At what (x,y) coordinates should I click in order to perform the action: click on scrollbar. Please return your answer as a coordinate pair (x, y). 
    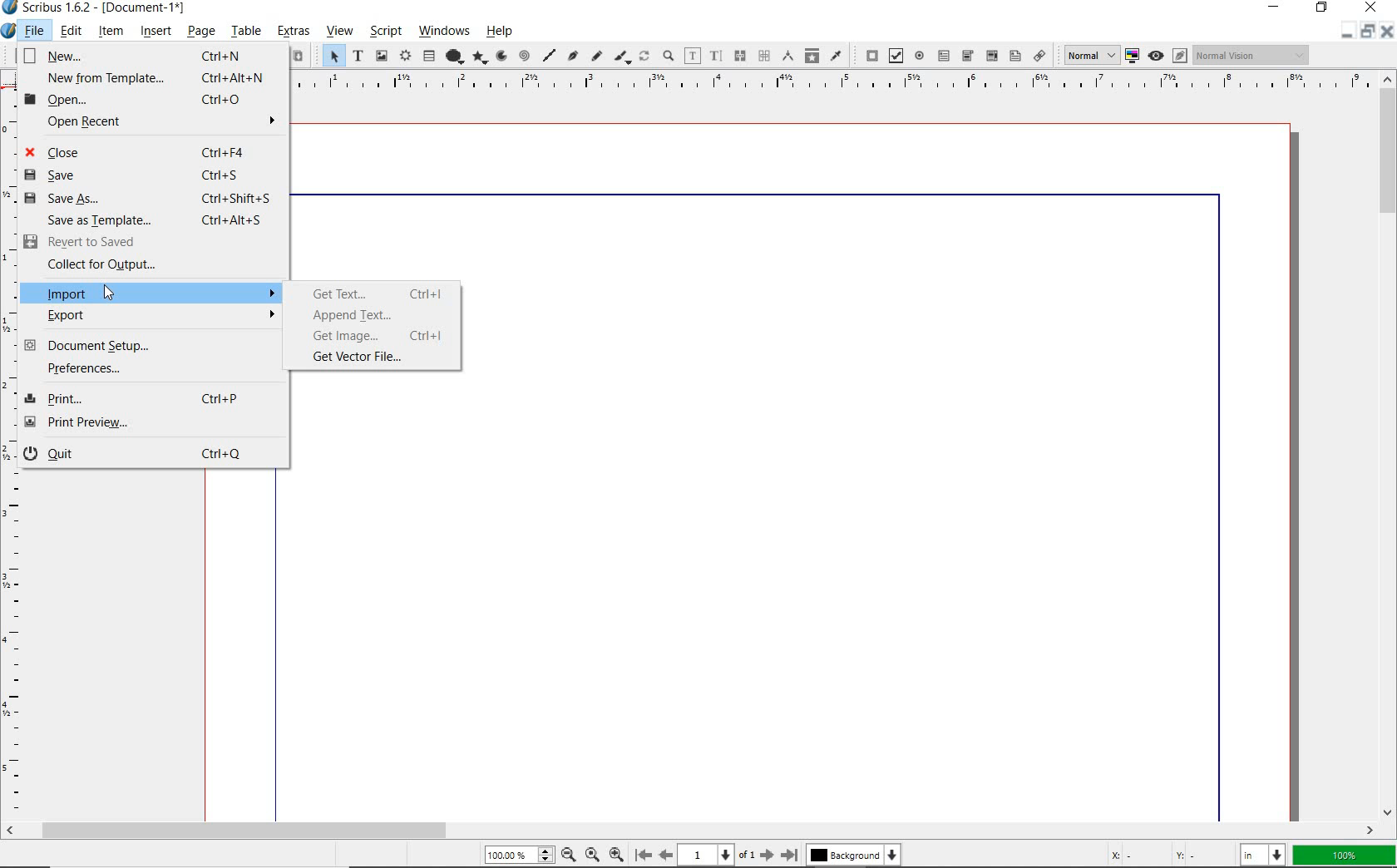
    Looking at the image, I should click on (690, 832).